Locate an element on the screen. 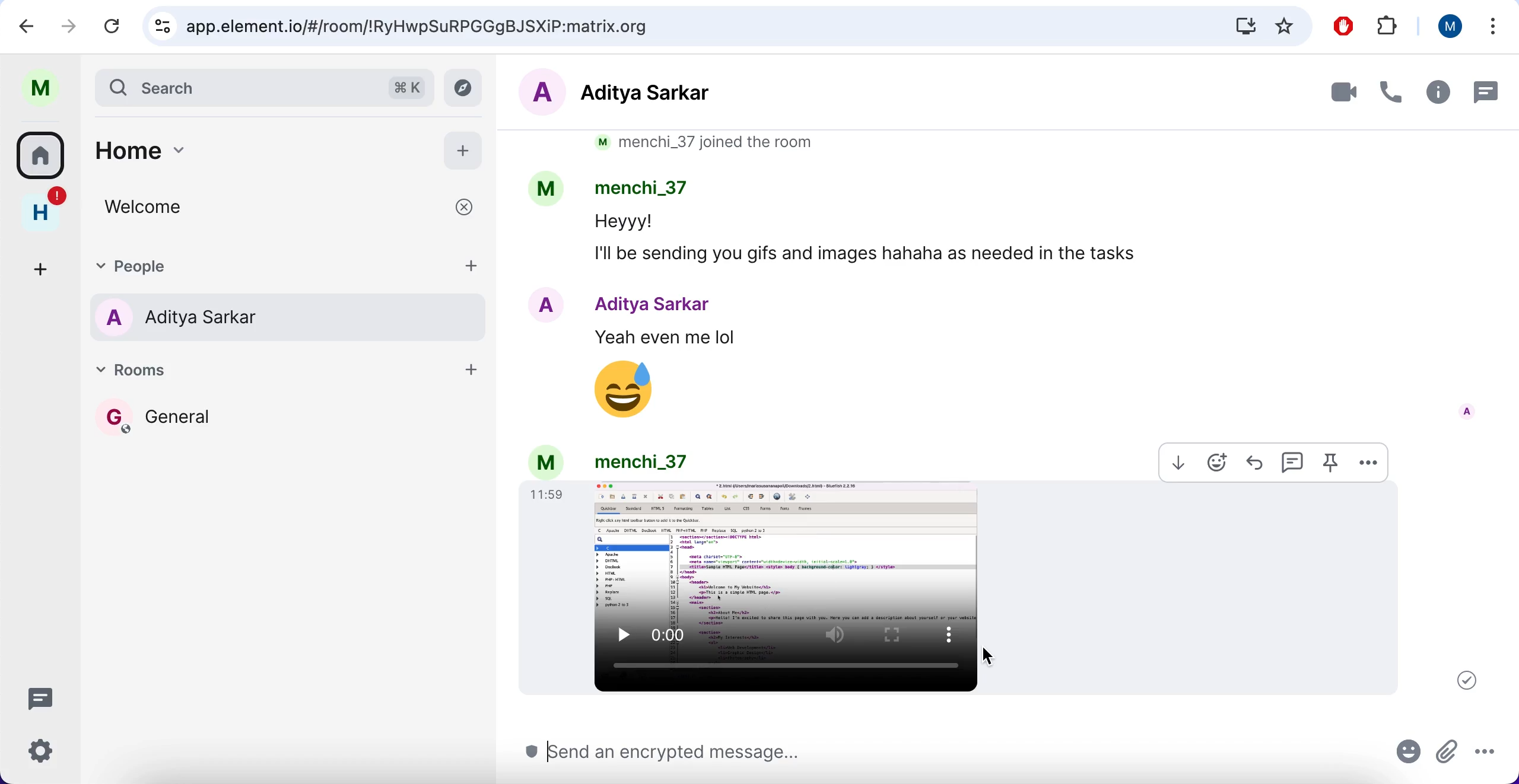 The height and width of the screenshot is (784, 1519). rooms is located at coordinates (291, 435).